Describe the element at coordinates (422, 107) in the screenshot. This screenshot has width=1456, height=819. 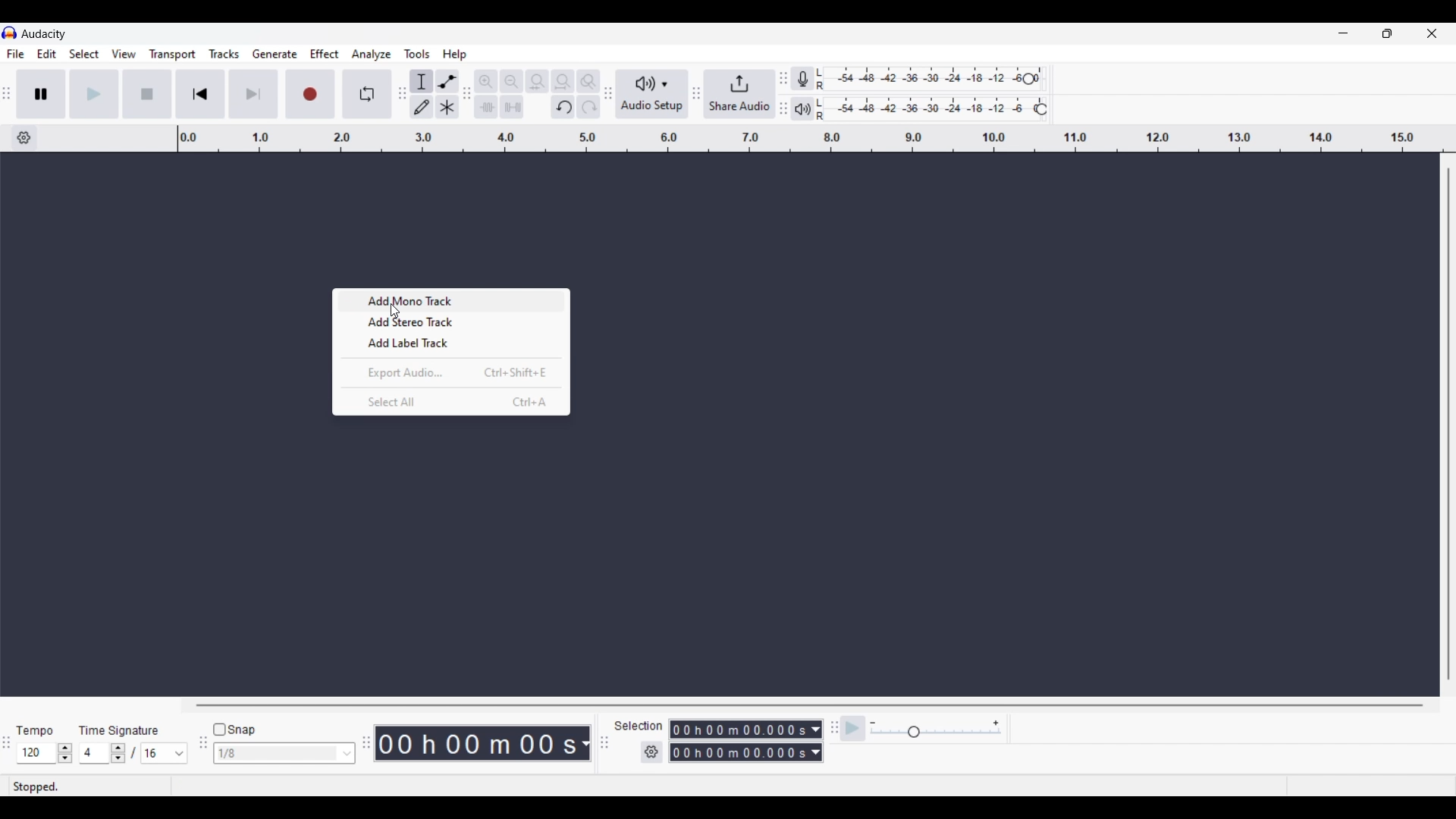
I see `Draw tool` at that location.